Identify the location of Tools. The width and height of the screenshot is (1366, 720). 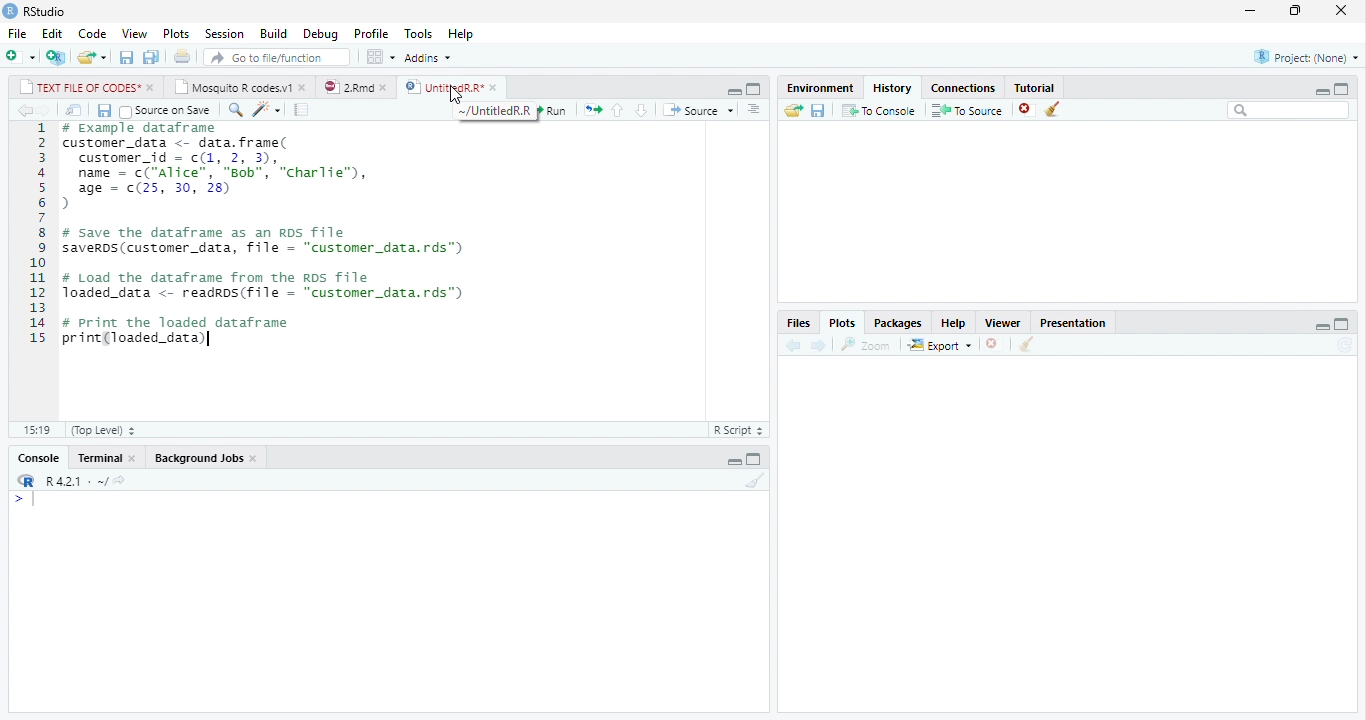
(418, 32).